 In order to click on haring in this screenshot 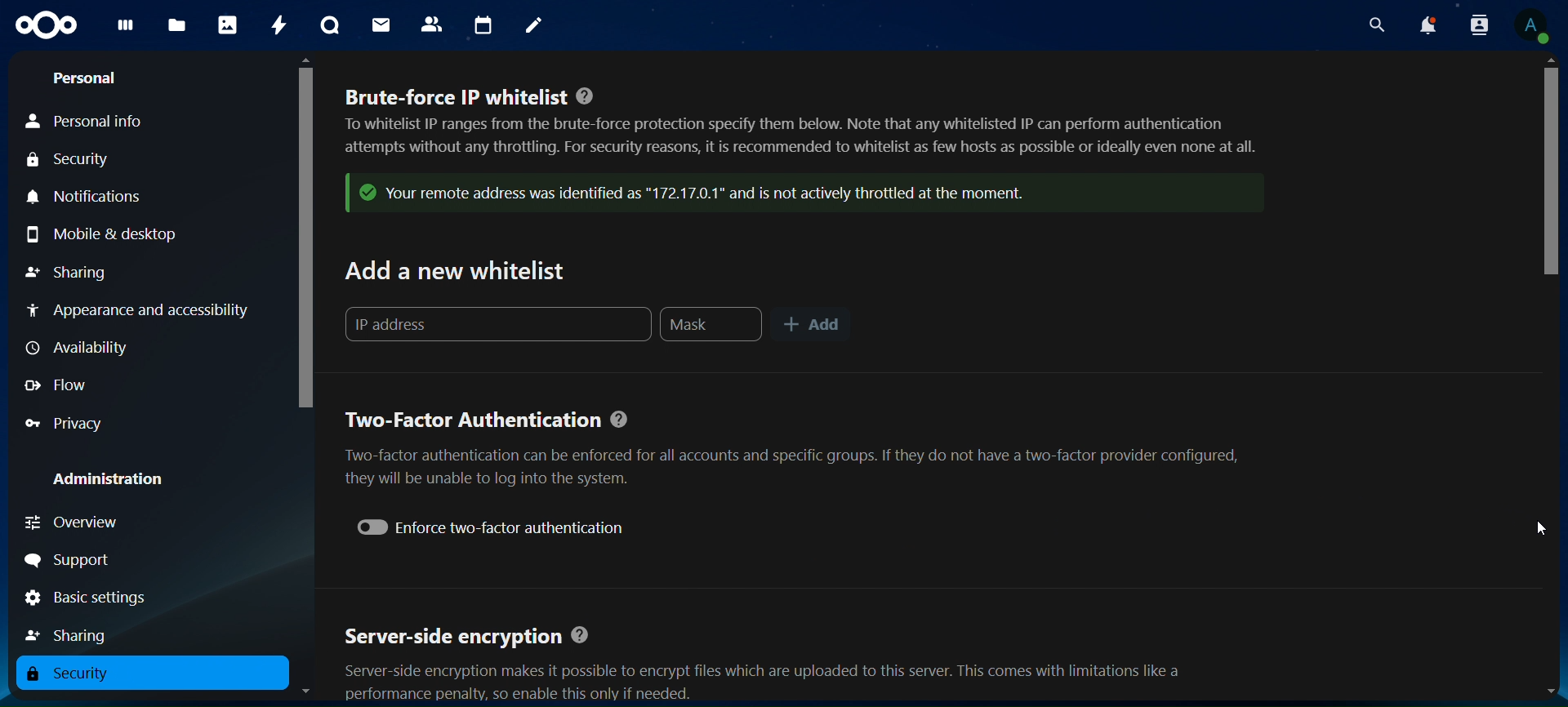, I will do `click(73, 633)`.